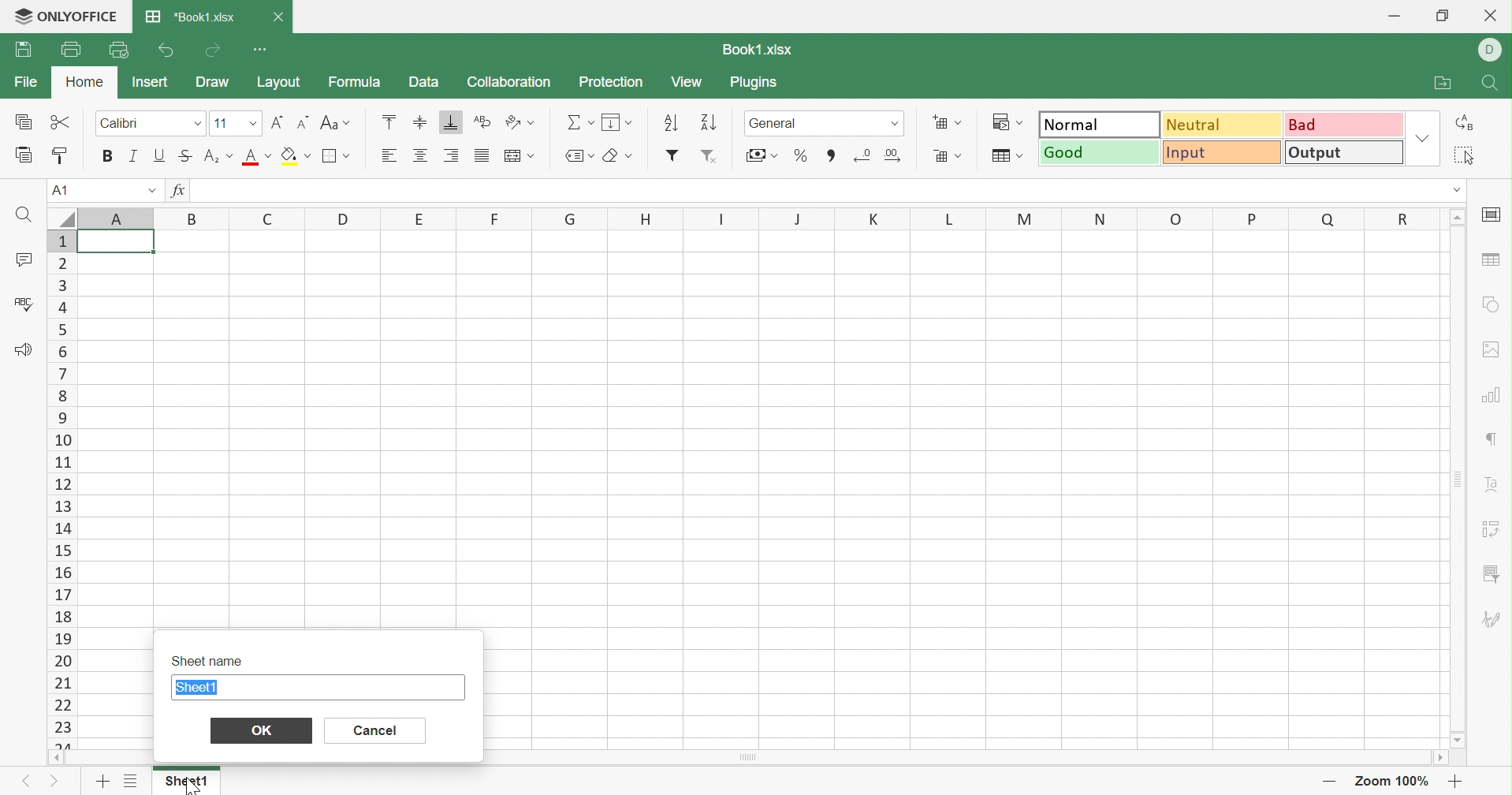  I want to click on Redo, so click(213, 50).